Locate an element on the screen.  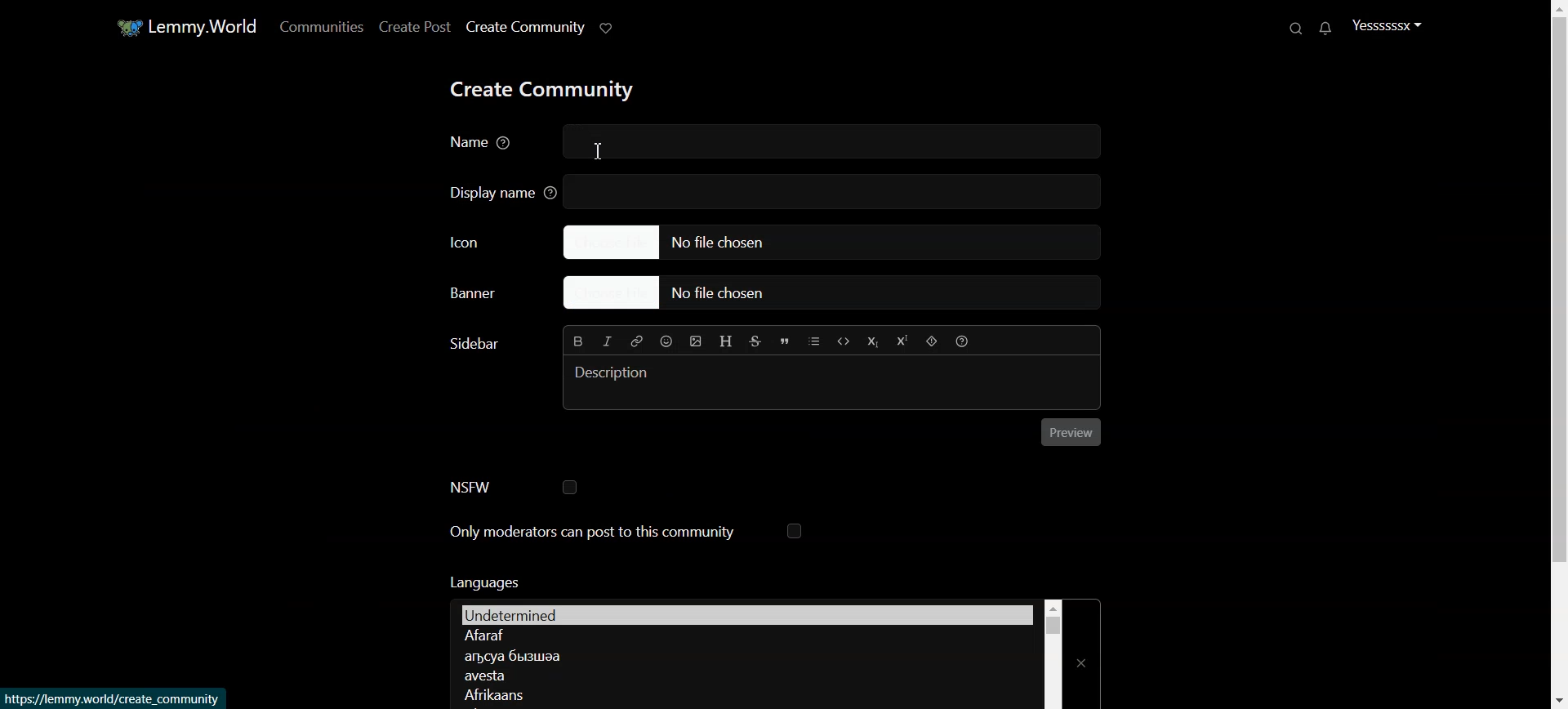
Vertical scroll bar is located at coordinates (1053, 653).